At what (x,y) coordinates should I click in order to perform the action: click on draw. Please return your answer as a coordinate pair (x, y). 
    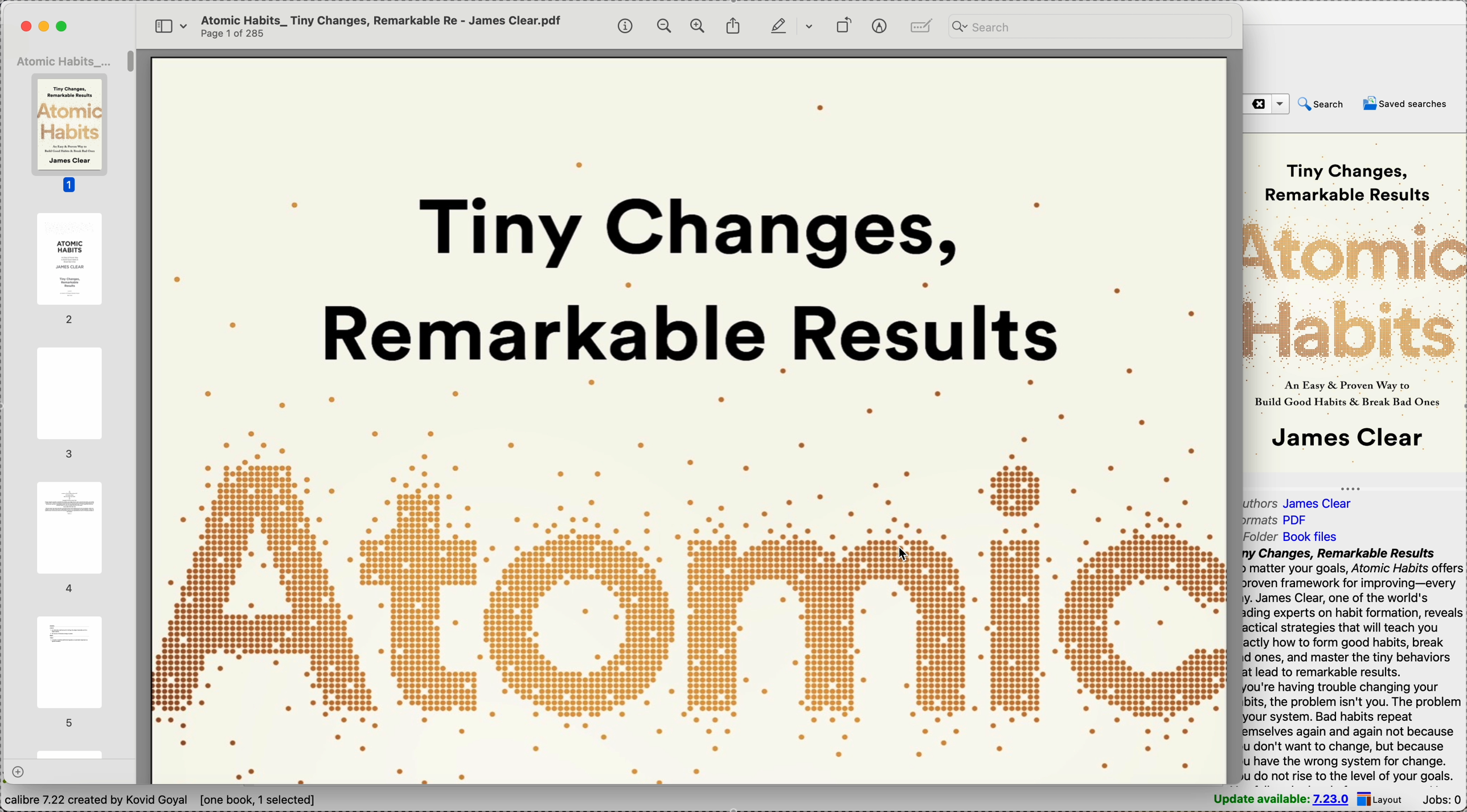
    Looking at the image, I should click on (788, 24).